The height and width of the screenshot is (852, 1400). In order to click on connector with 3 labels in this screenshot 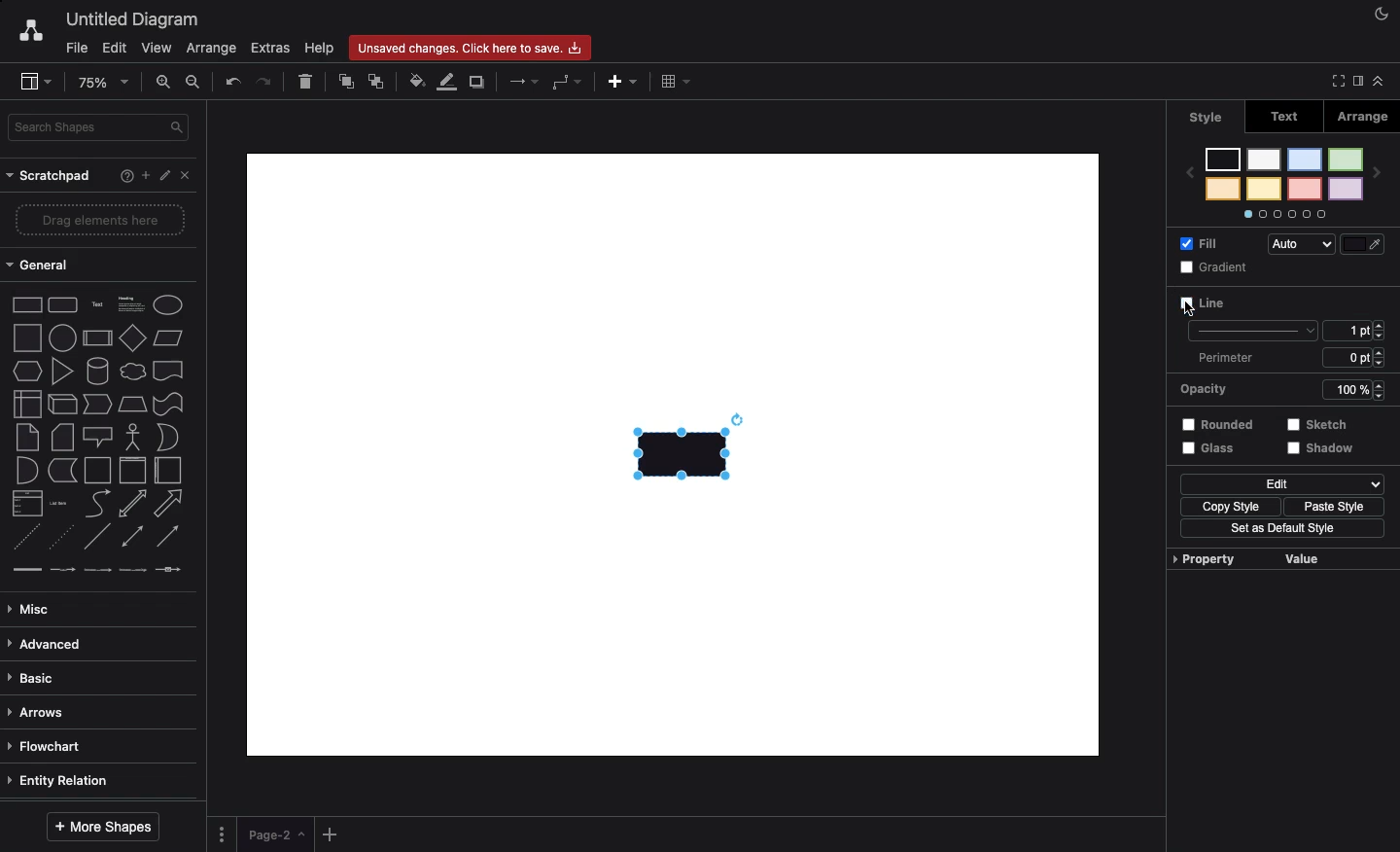, I will do `click(132, 570)`.